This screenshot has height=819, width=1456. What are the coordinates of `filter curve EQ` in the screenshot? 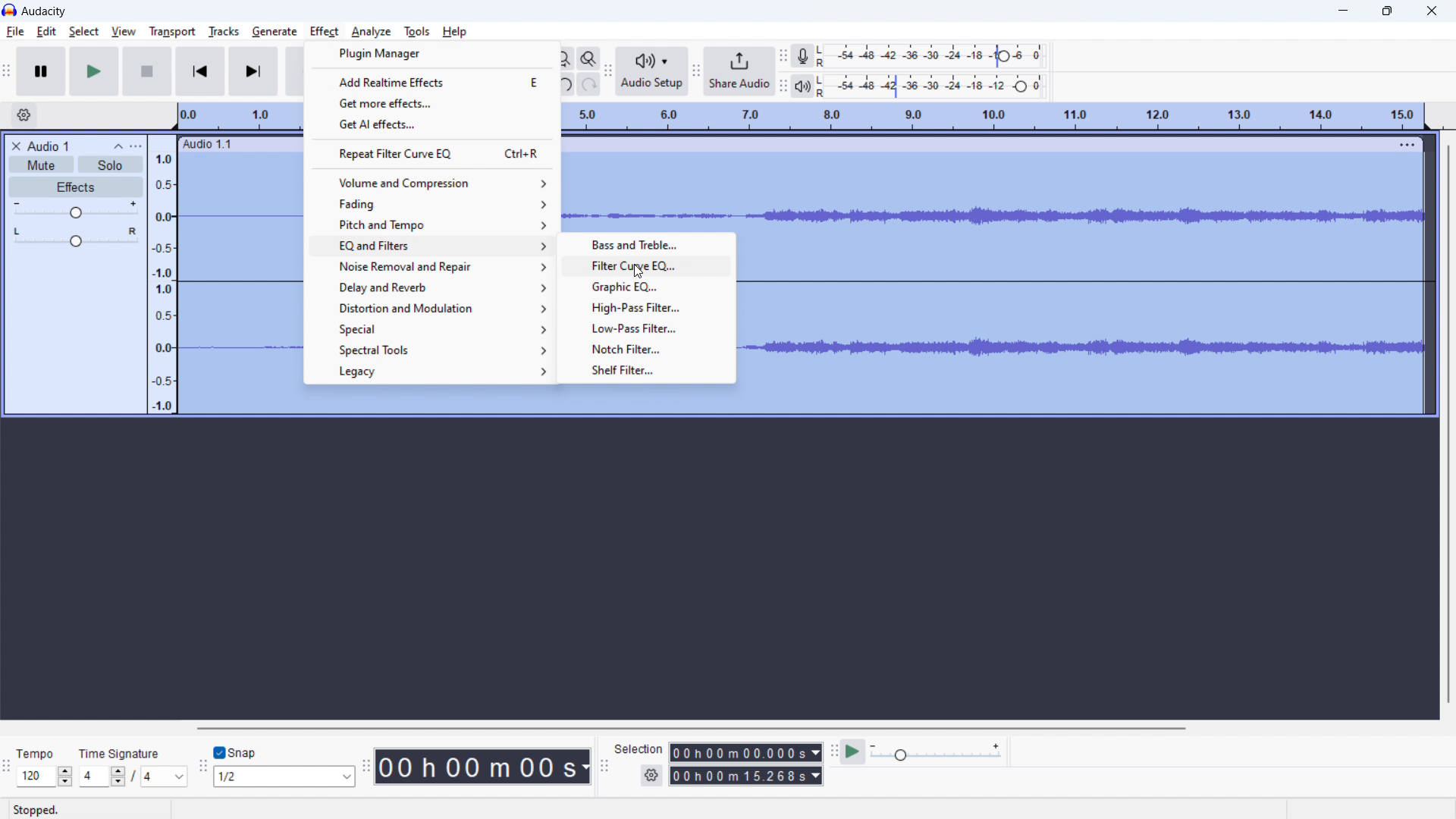 It's located at (645, 265).